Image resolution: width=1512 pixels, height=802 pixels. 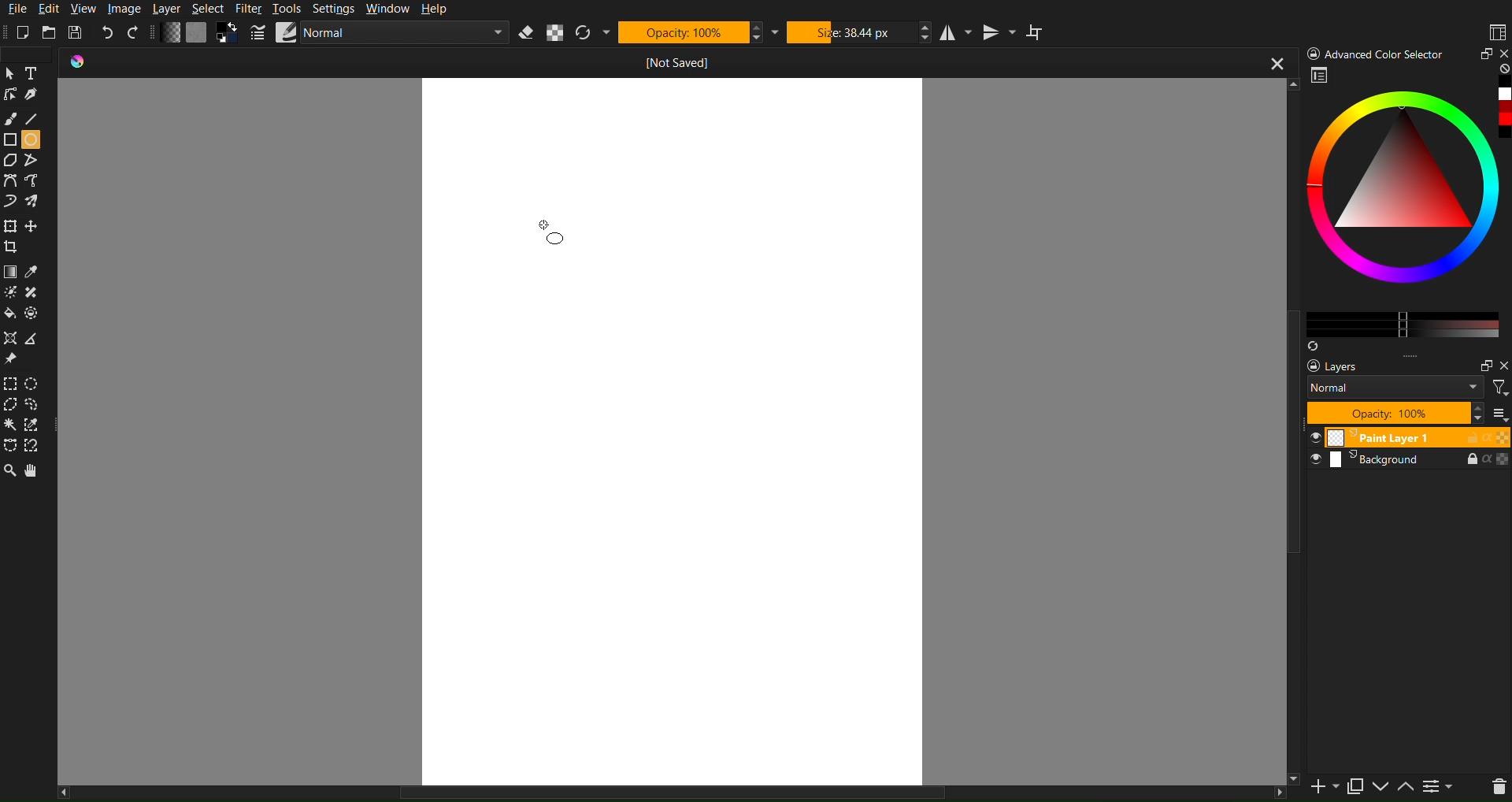 What do you see at coordinates (848, 32) in the screenshot?
I see `Size` at bounding box center [848, 32].